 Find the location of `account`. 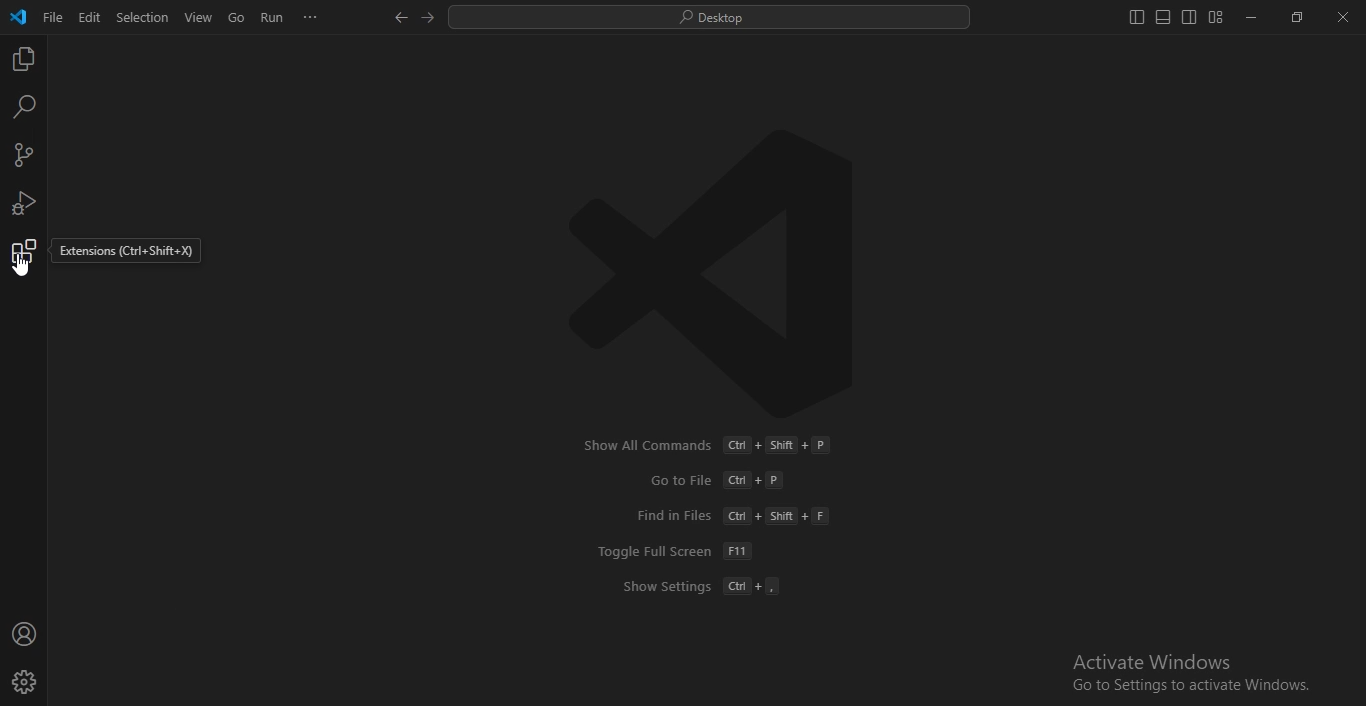

account is located at coordinates (24, 635).